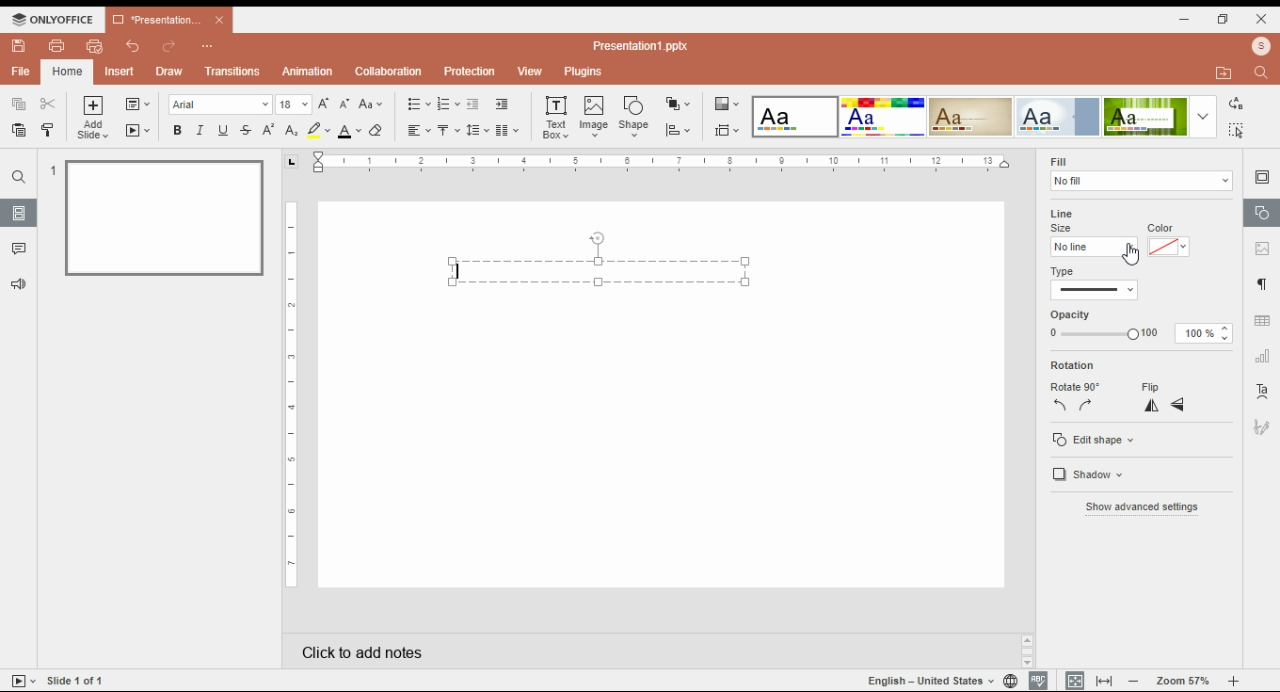 This screenshot has height=692, width=1280. What do you see at coordinates (633, 115) in the screenshot?
I see `insert shape` at bounding box center [633, 115].